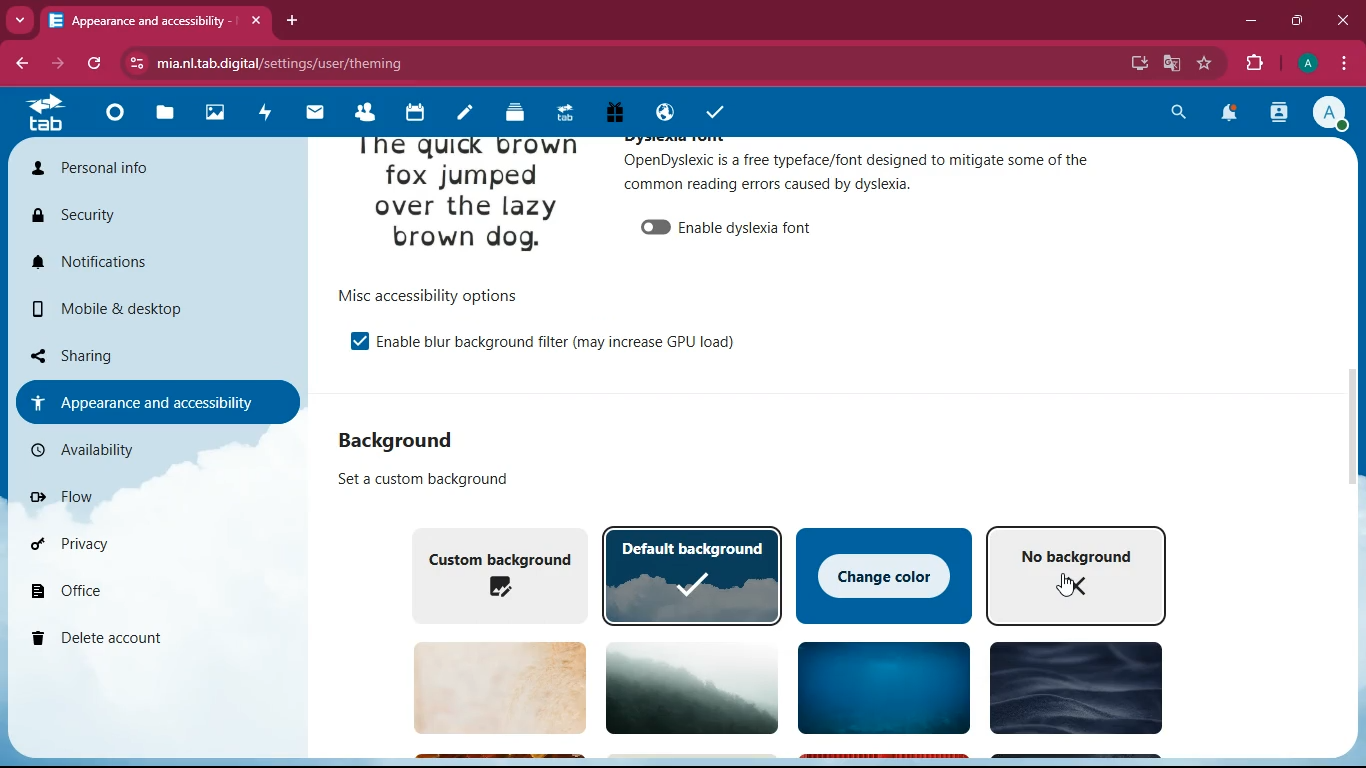  What do you see at coordinates (489, 688) in the screenshot?
I see `background` at bounding box center [489, 688].